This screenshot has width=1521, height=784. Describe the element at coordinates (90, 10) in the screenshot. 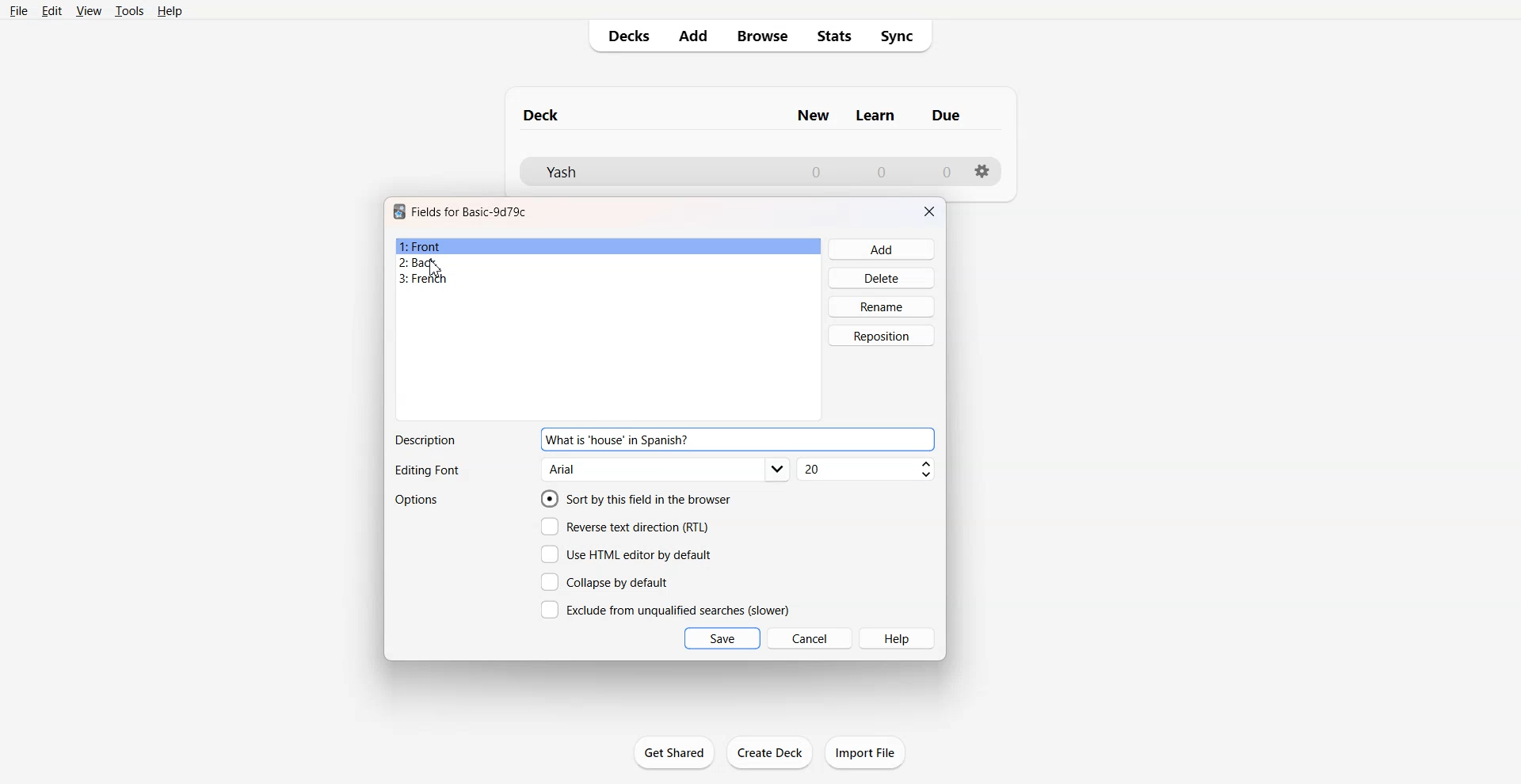

I see `View` at that location.